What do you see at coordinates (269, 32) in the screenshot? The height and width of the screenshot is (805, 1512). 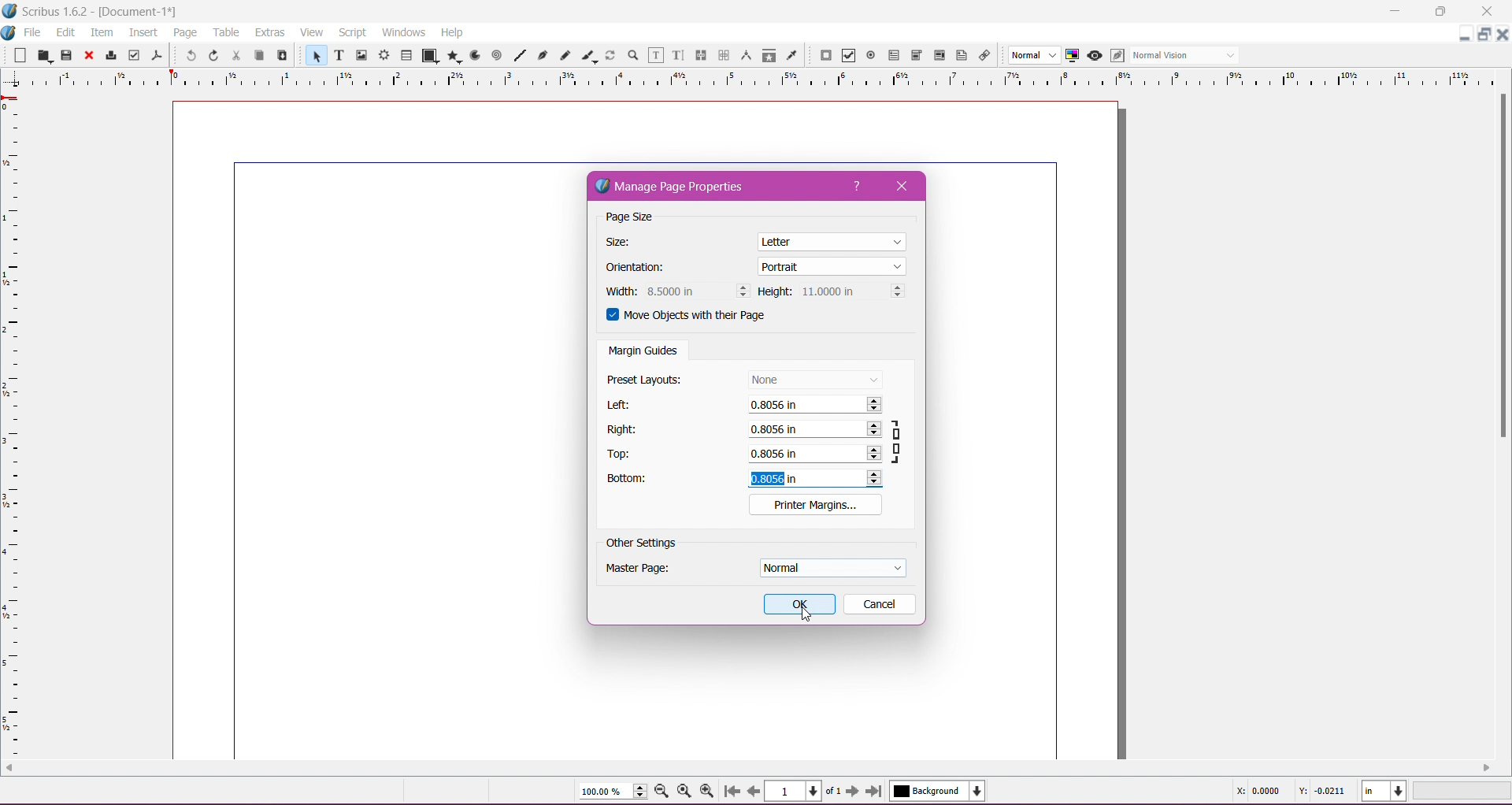 I see `Extras` at bounding box center [269, 32].